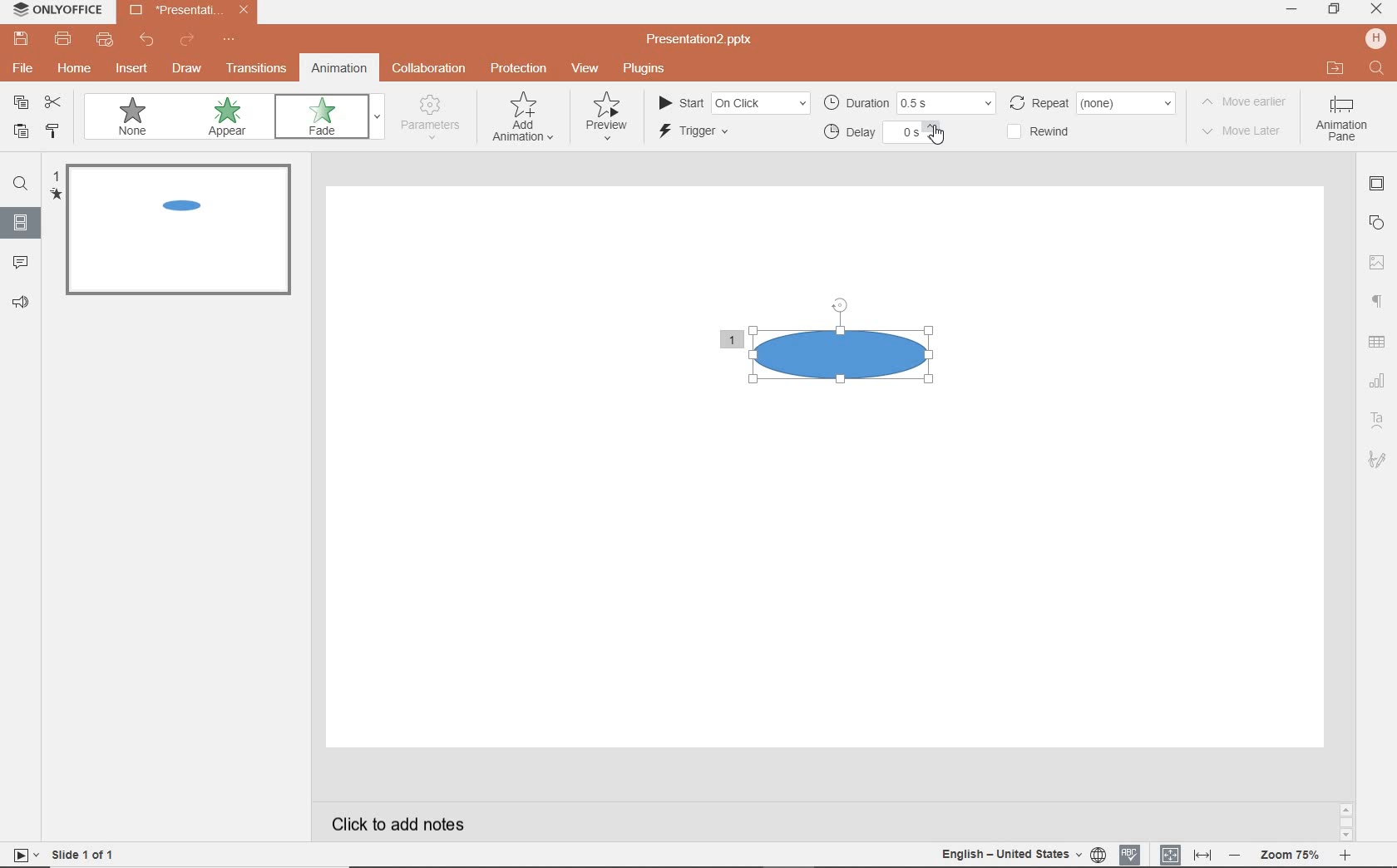 The image size is (1397, 868). What do you see at coordinates (23, 263) in the screenshot?
I see `comments` at bounding box center [23, 263].